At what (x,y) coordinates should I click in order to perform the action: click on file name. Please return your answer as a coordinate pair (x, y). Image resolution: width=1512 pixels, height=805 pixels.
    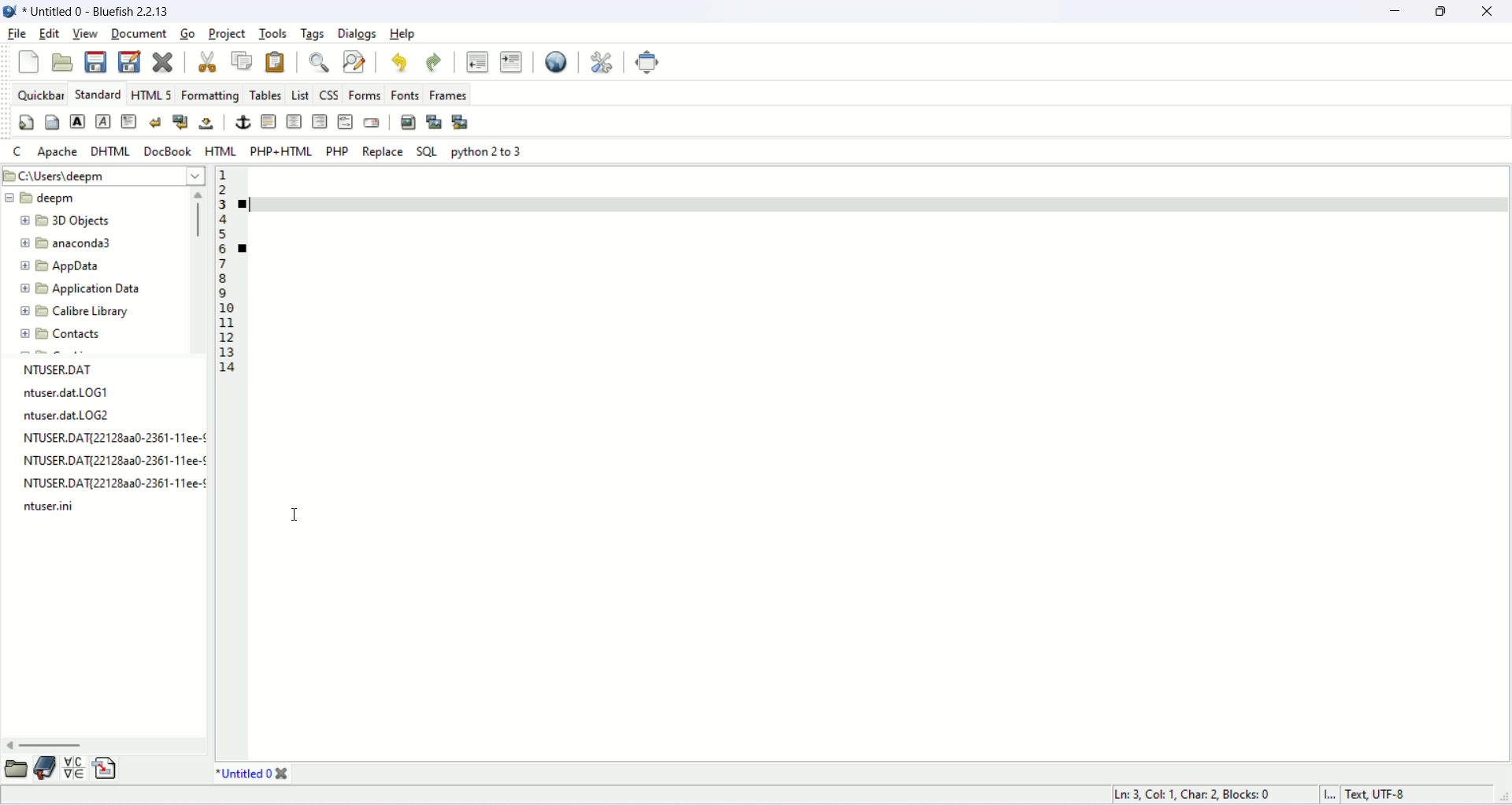
    Looking at the image, I should click on (111, 443).